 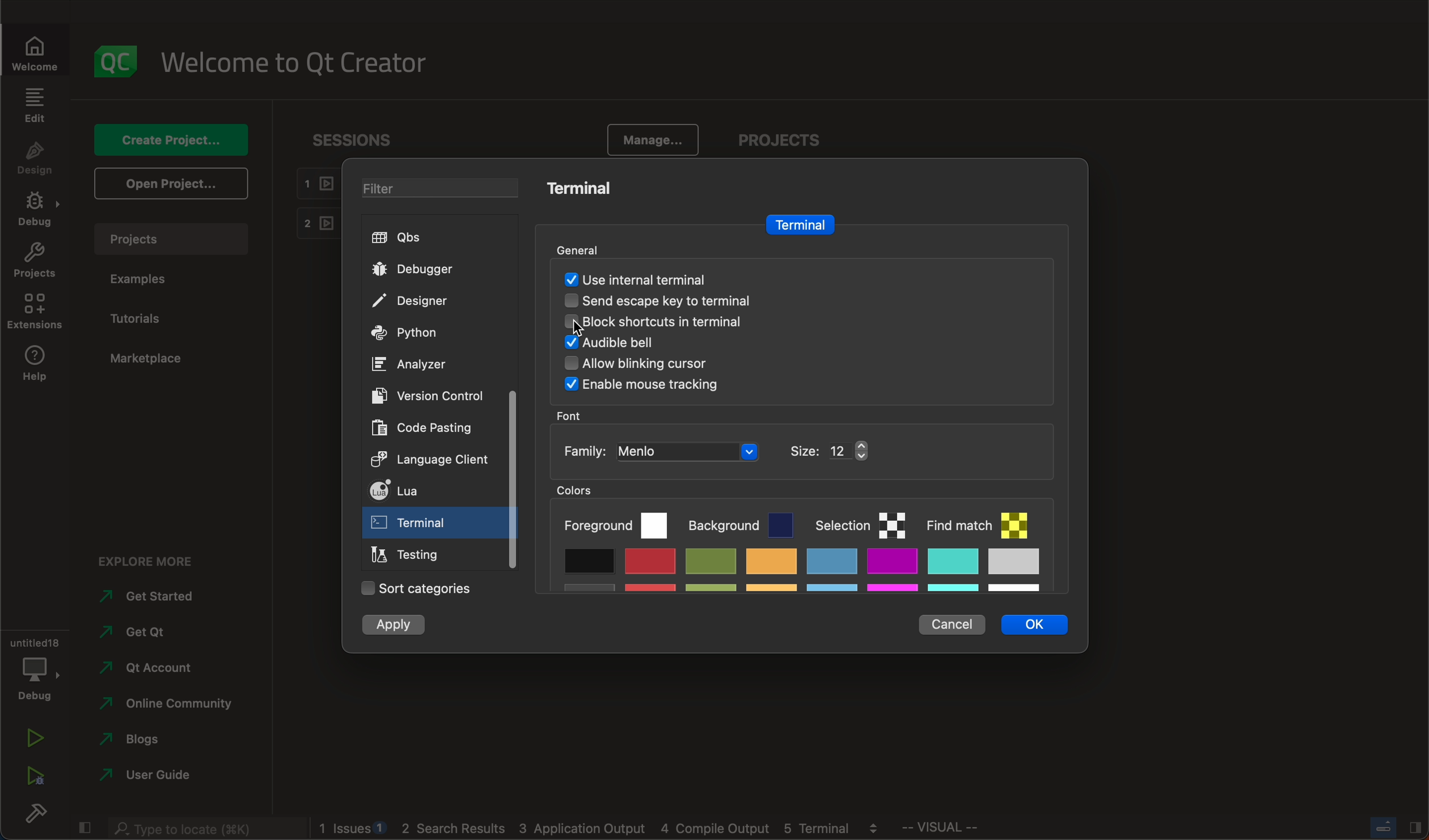 What do you see at coordinates (175, 236) in the screenshot?
I see `projects` at bounding box center [175, 236].